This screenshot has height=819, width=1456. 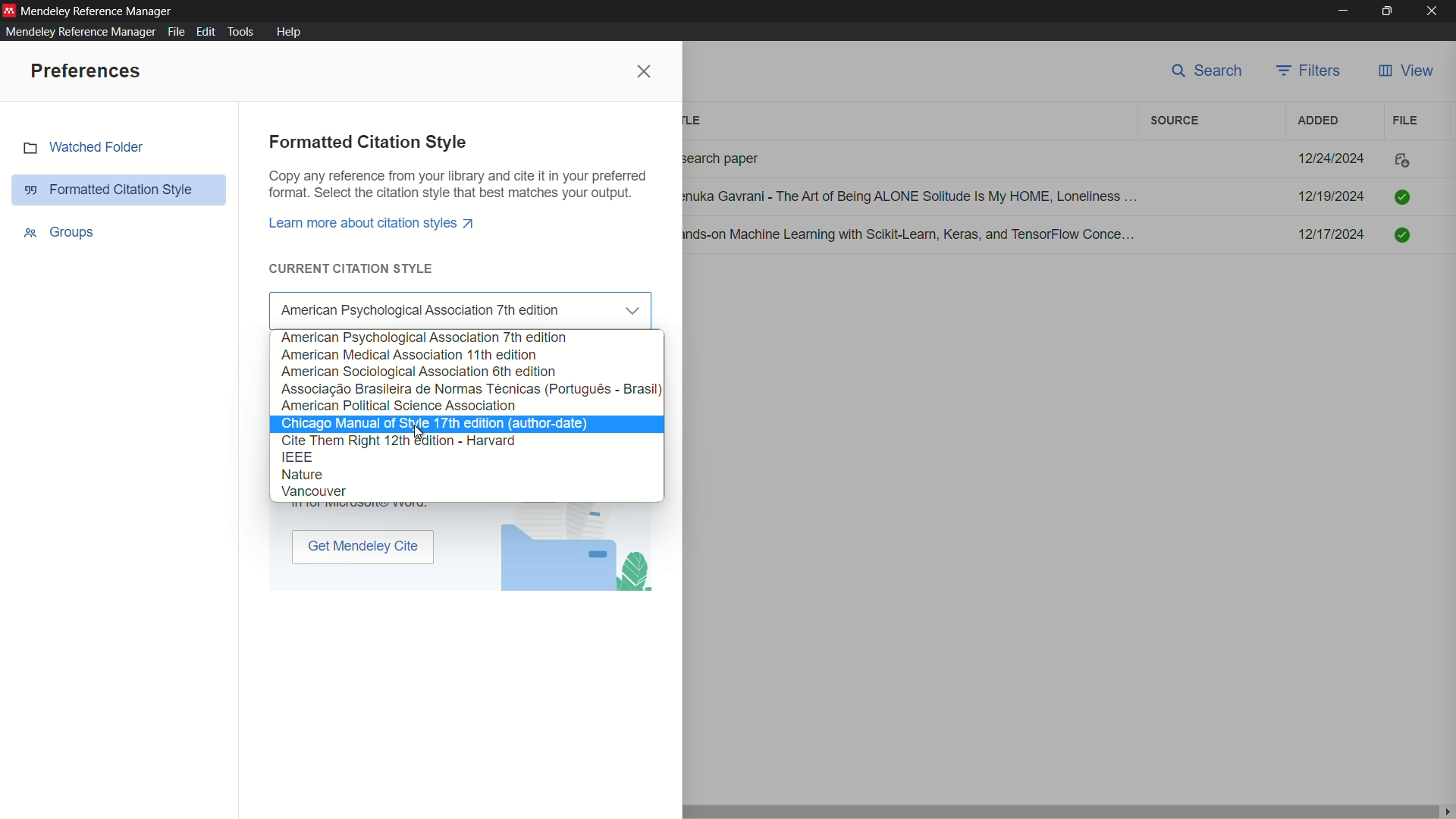 I want to click on citation styles, so click(x=439, y=422).